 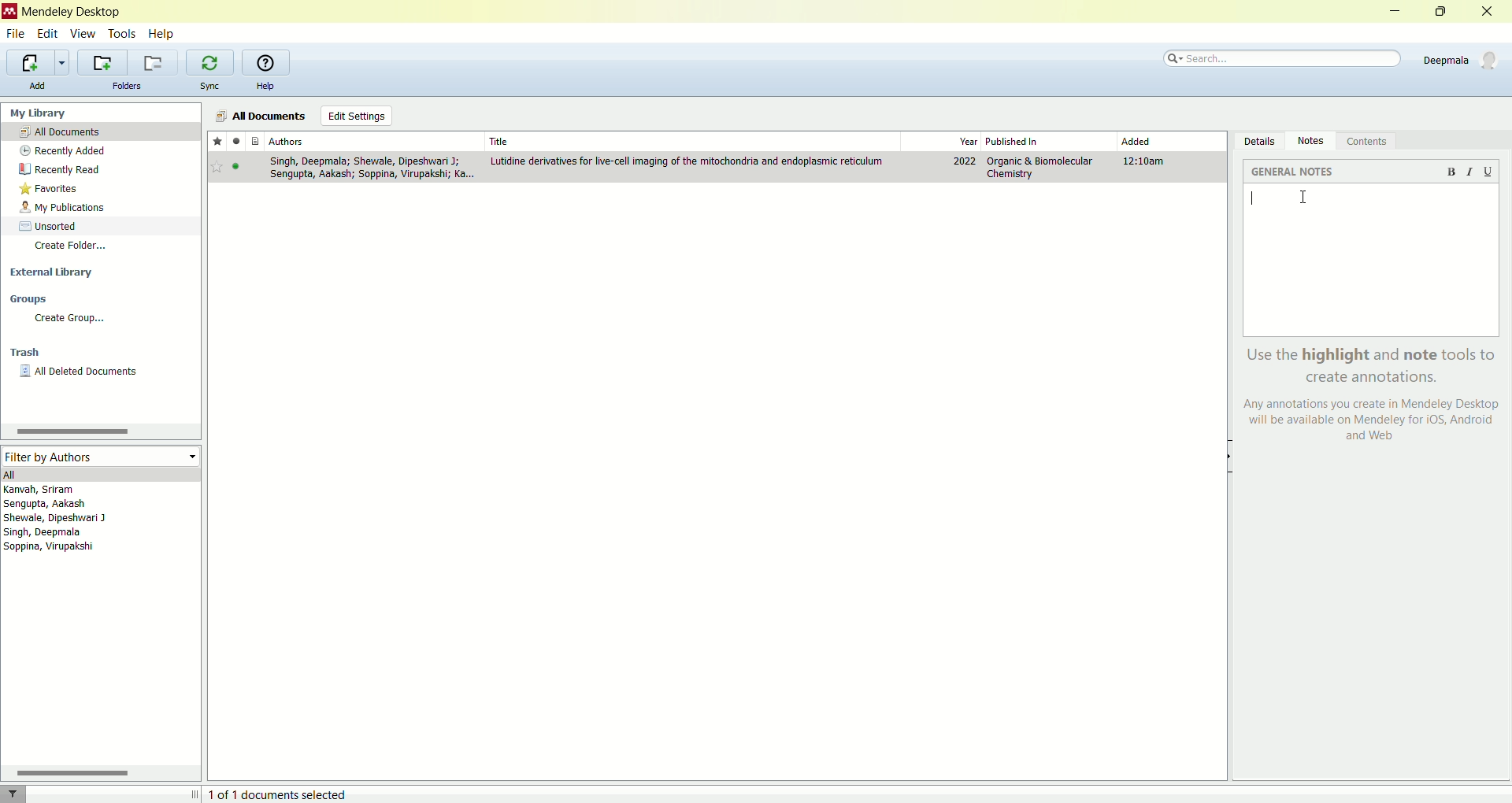 I want to click on scroll bar, so click(x=98, y=772).